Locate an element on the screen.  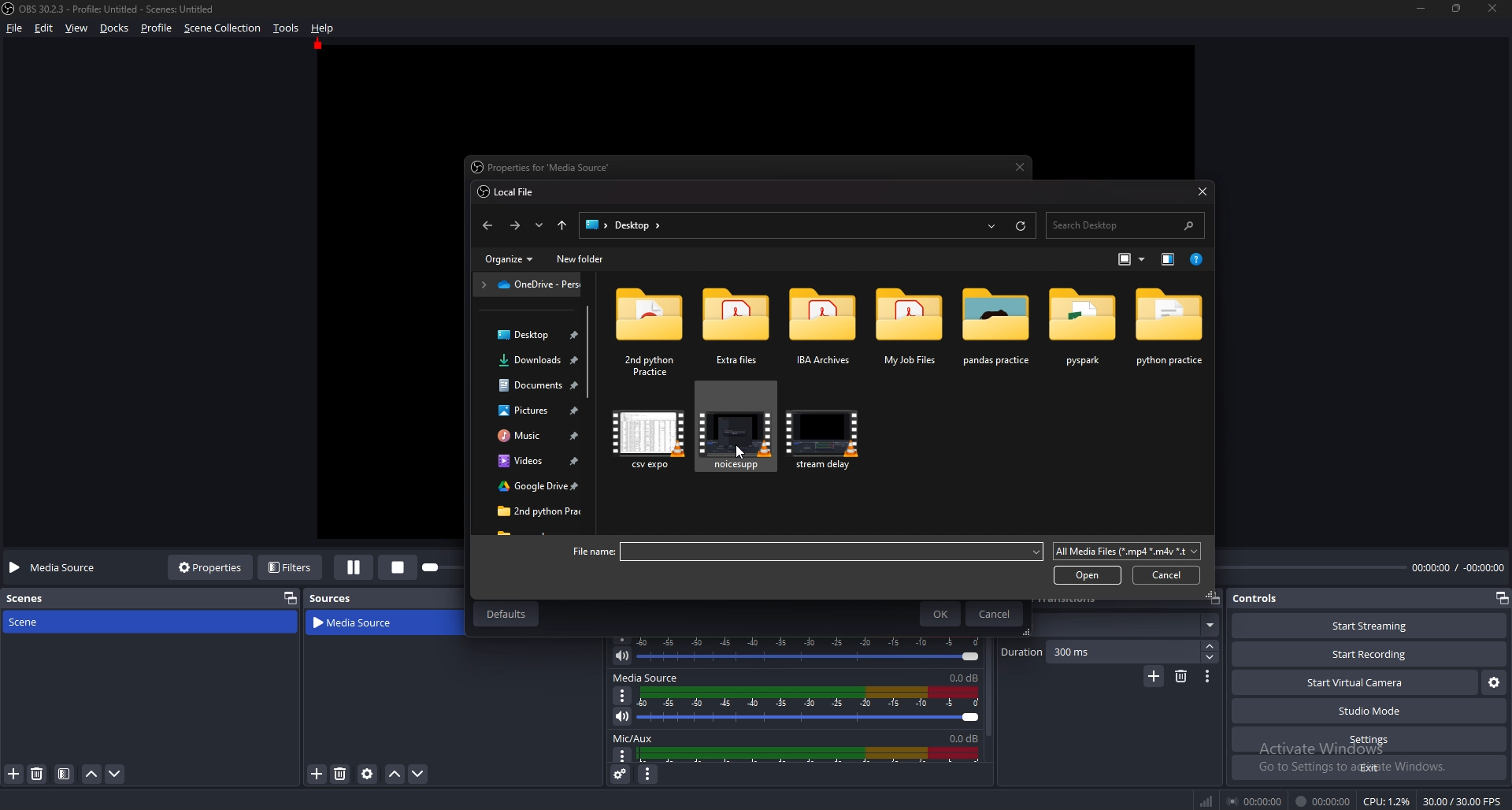
Filter is located at coordinates (65, 775).